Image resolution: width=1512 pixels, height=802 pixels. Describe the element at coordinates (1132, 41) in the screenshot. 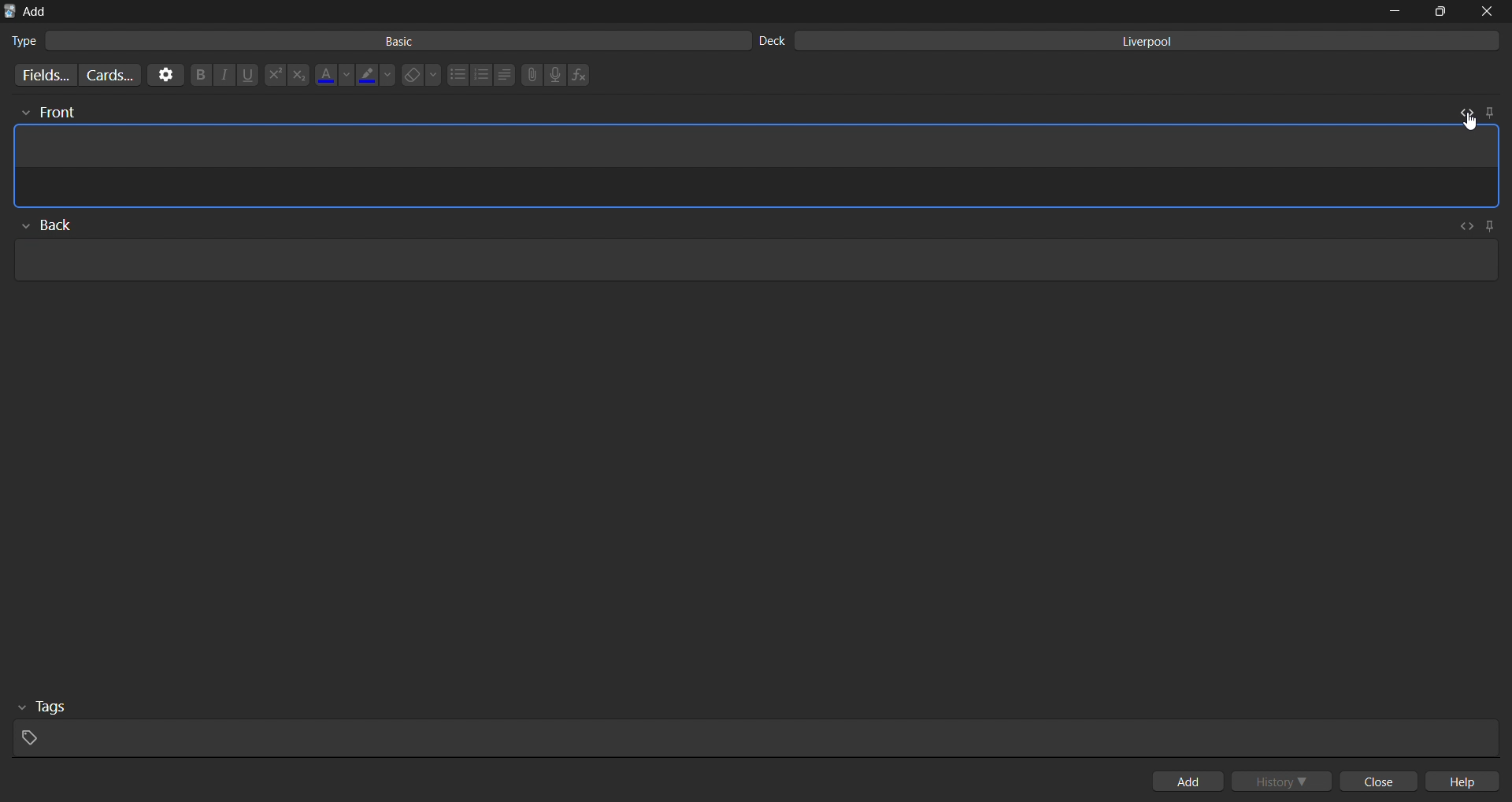

I see `liverpool deck input field` at that location.